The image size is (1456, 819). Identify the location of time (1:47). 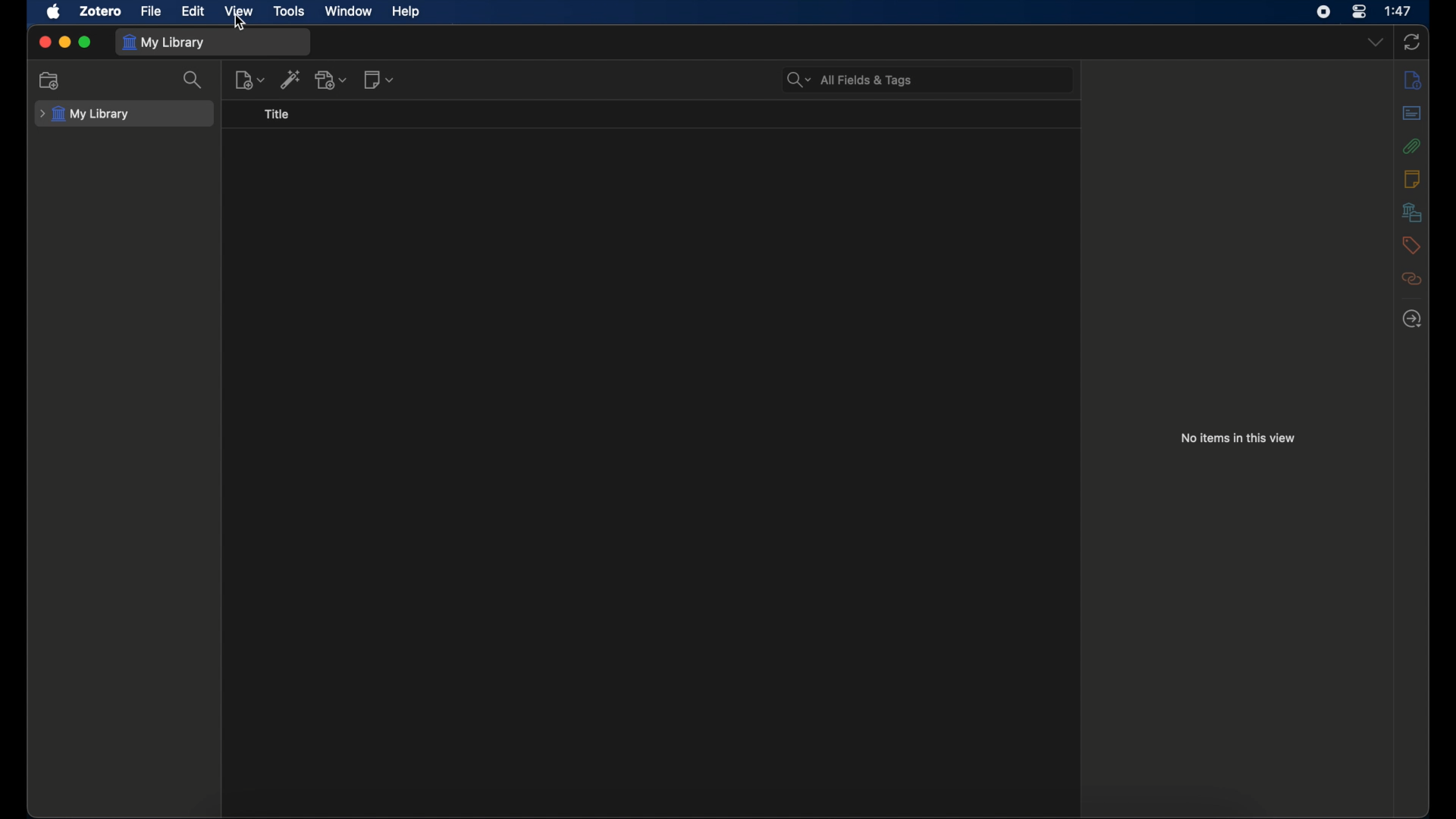
(1398, 10).